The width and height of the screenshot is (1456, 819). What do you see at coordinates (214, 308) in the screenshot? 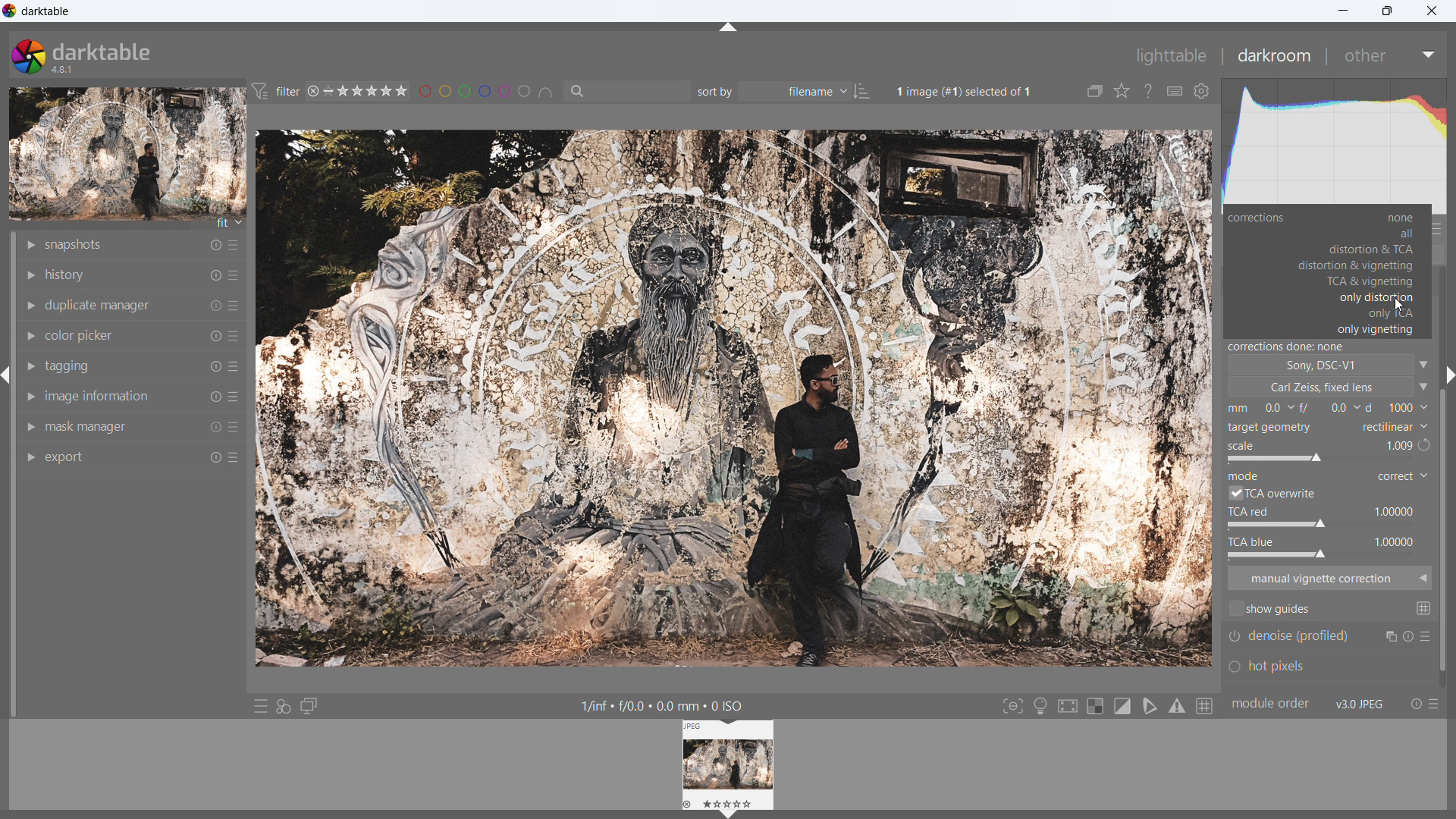
I see `reset` at bounding box center [214, 308].